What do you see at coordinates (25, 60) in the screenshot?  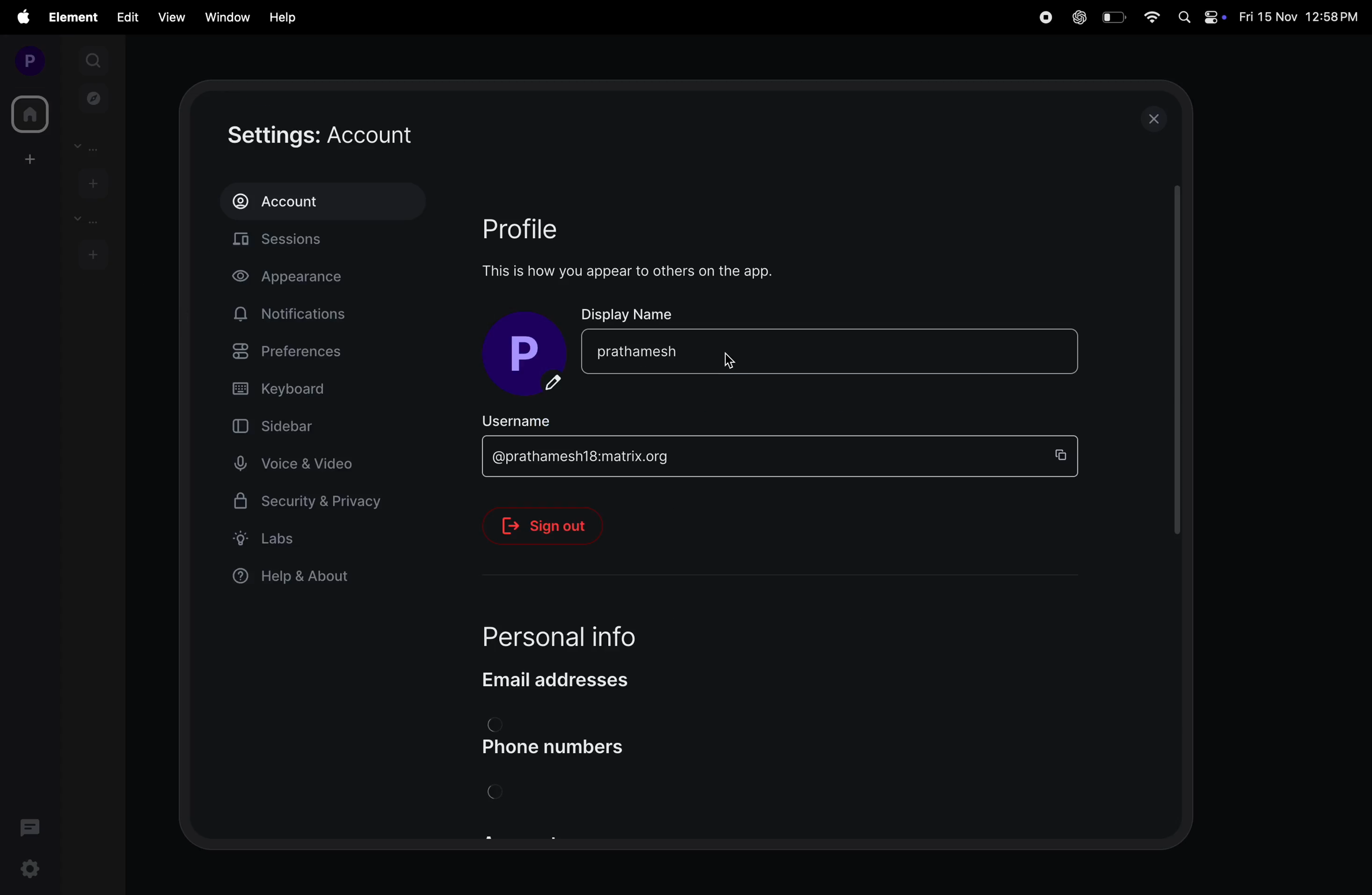 I see `profile` at bounding box center [25, 60].